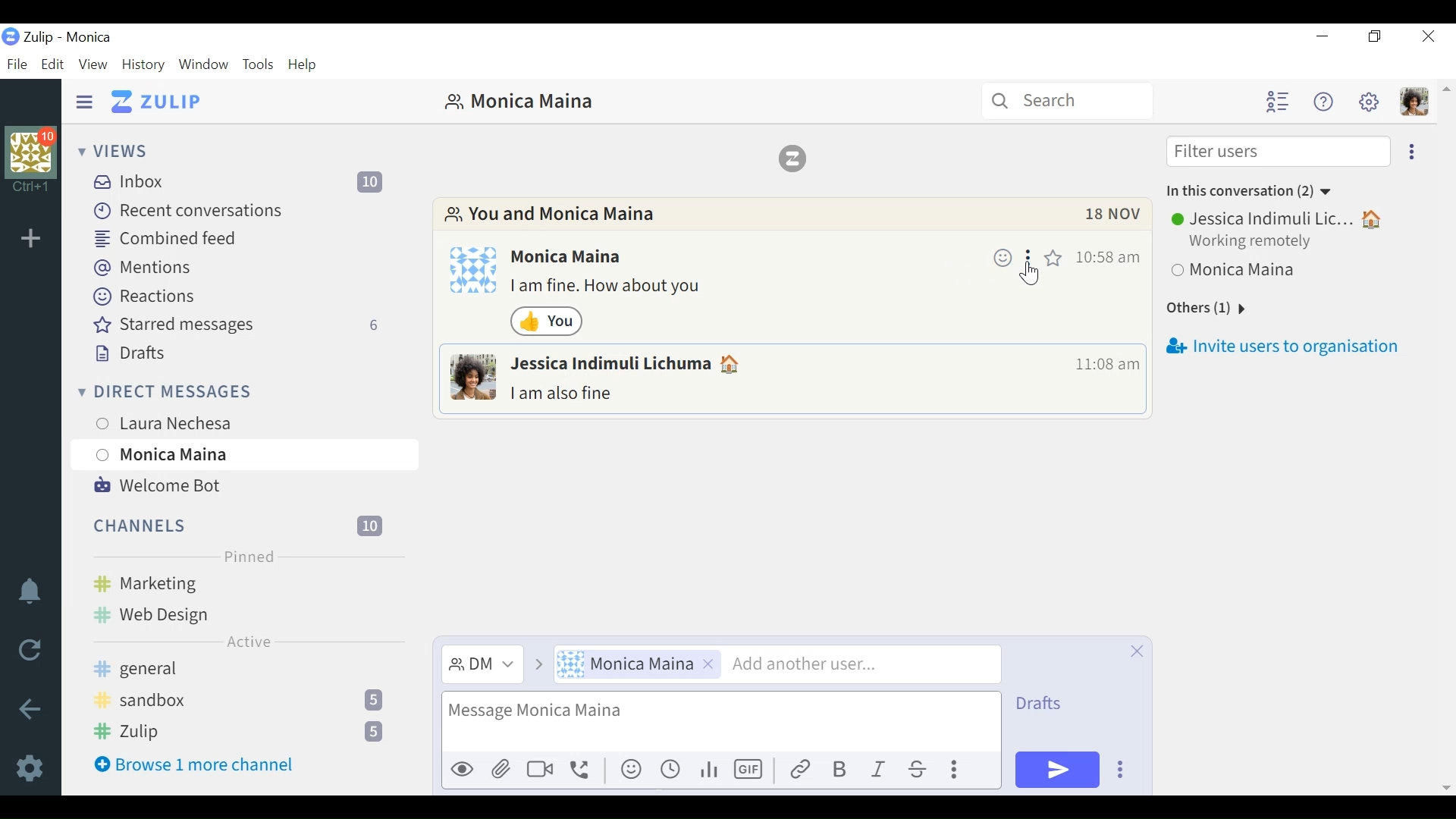 The width and height of the screenshot is (1456, 819). I want to click on Marketing, so click(243, 582).